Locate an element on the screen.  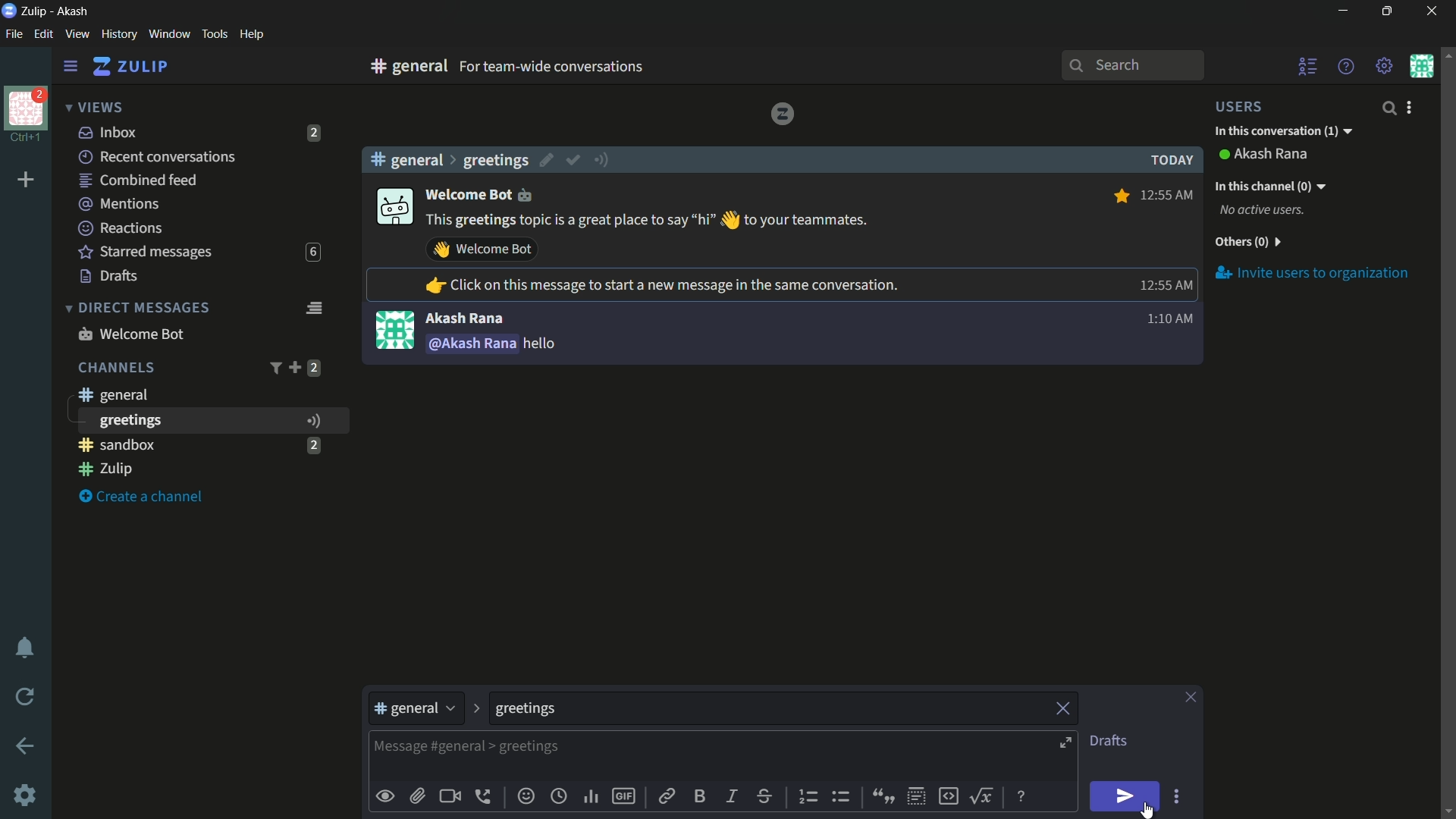
Display picture is located at coordinates (394, 329).